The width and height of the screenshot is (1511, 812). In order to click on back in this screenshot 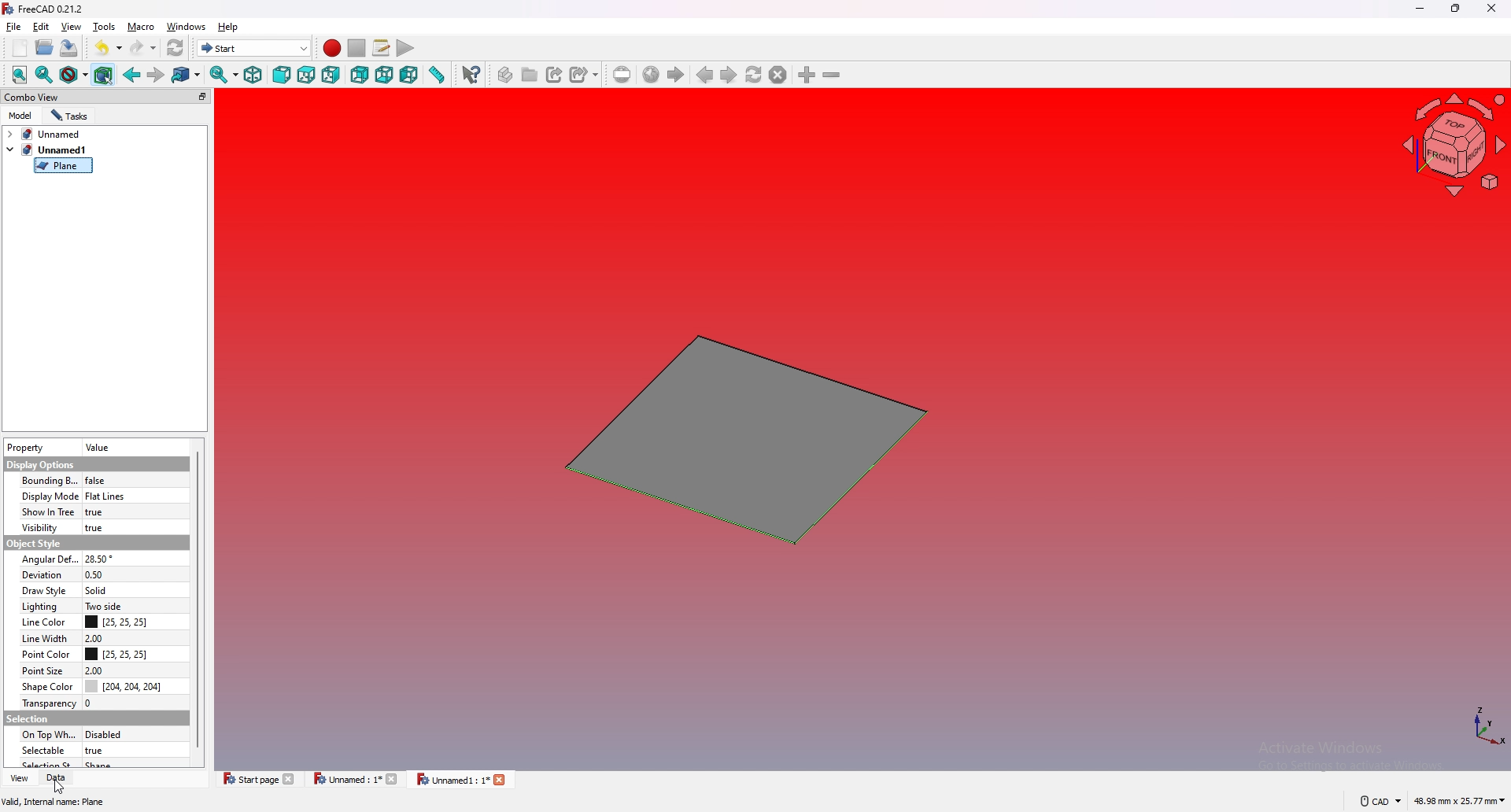, I will do `click(132, 74)`.